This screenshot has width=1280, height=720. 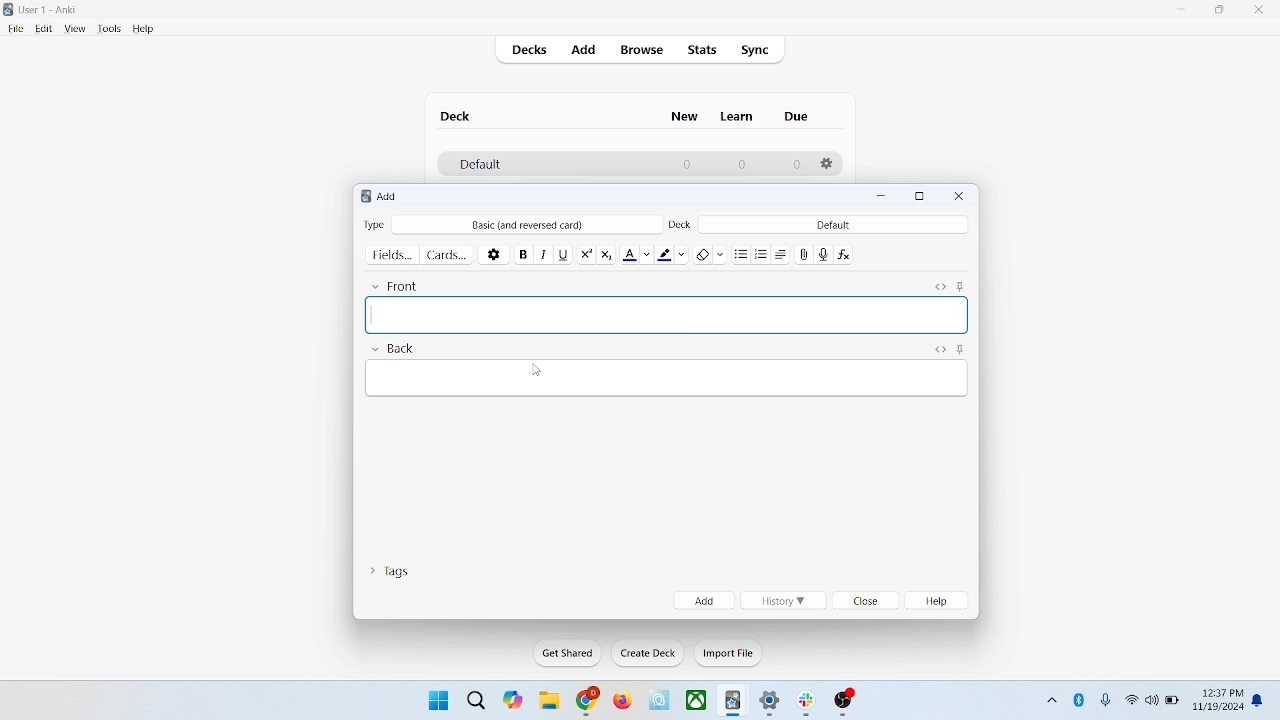 What do you see at coordinates (920, 197) in the screenshot?
I see `maximize` at bounding box center [920, 197].